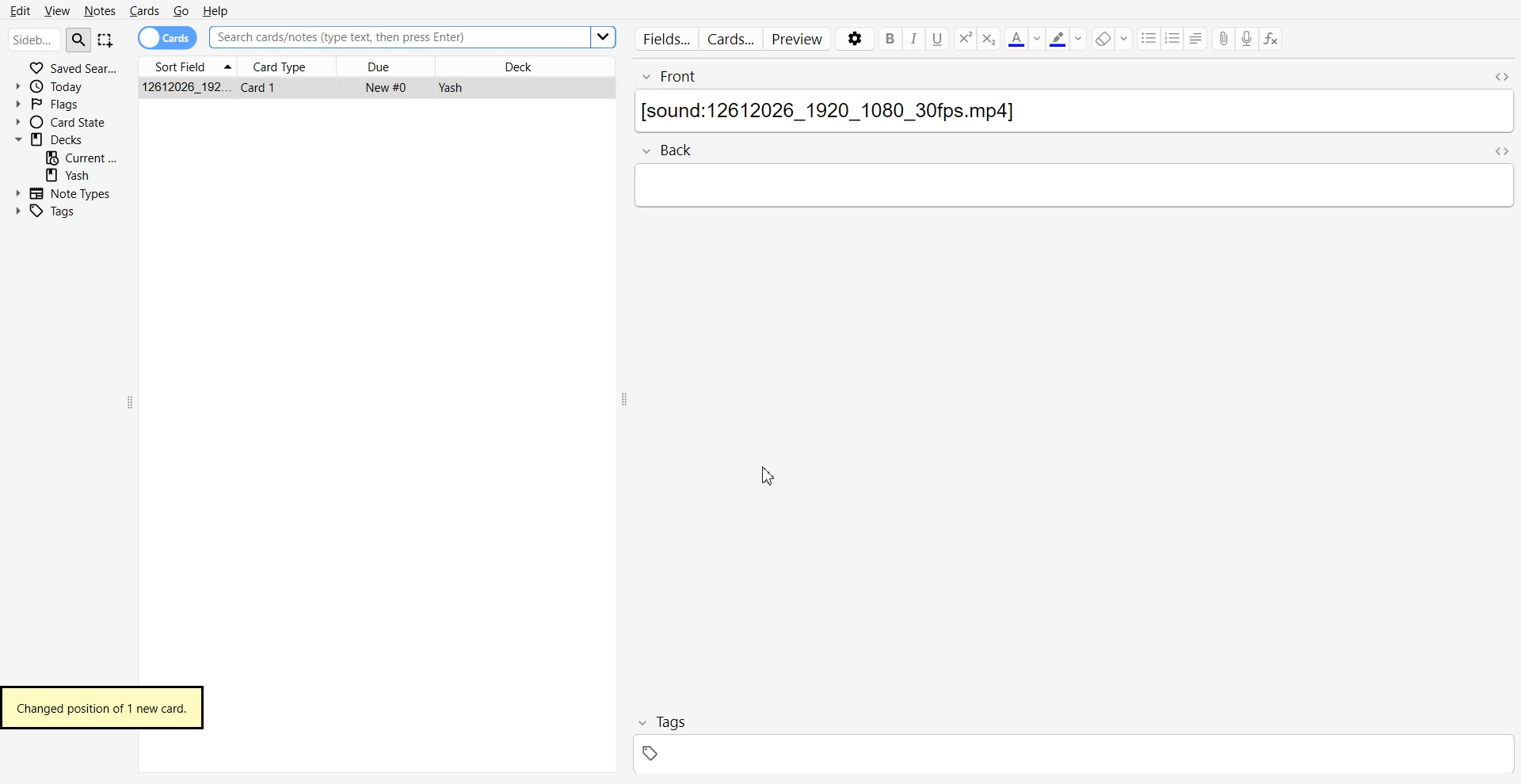  Describe the element at coordinates (663, 38) in the screenshot. I see `Fields` at that location.